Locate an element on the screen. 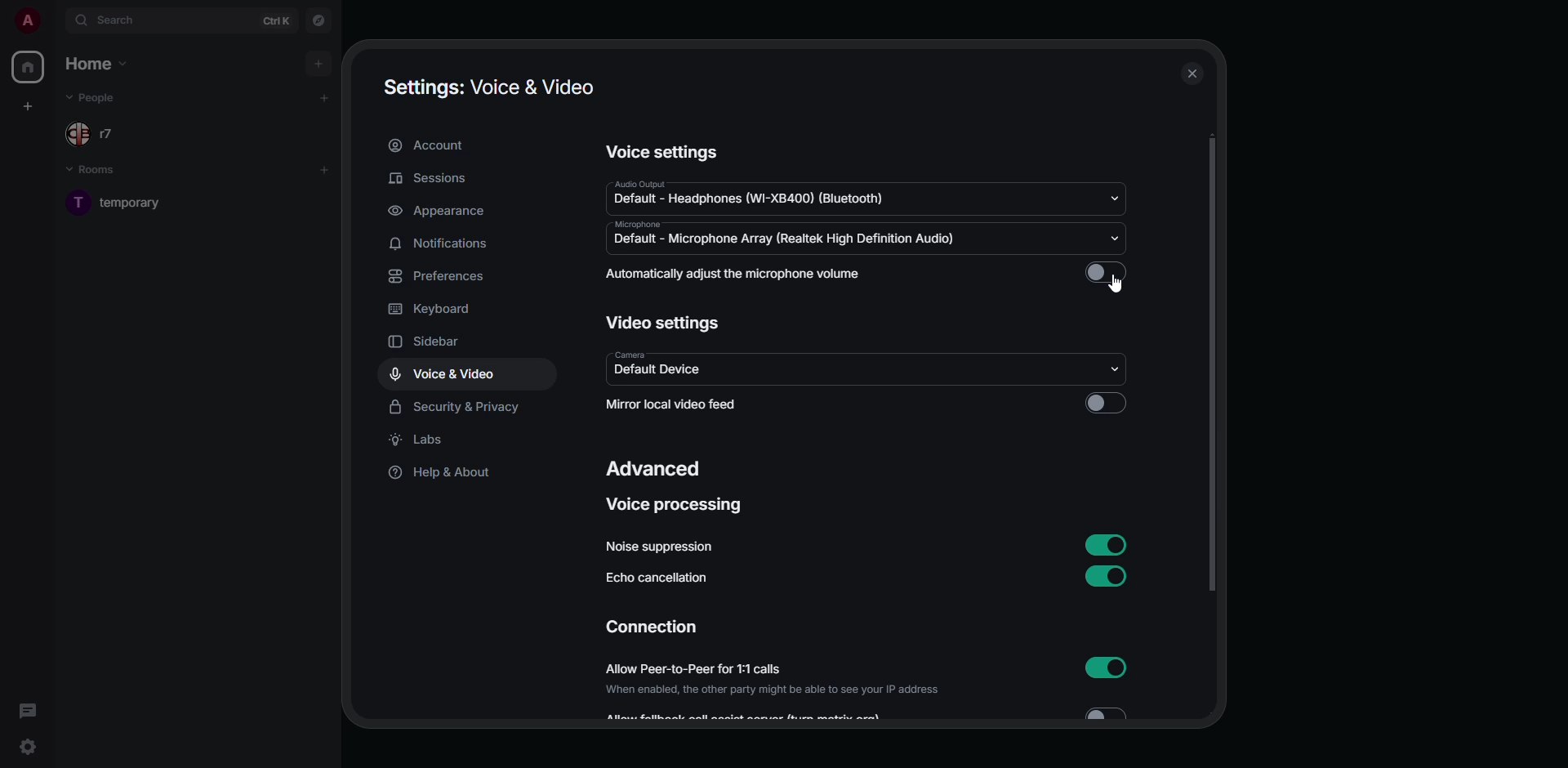  mirror local feed is located at coordinates (698, 404).